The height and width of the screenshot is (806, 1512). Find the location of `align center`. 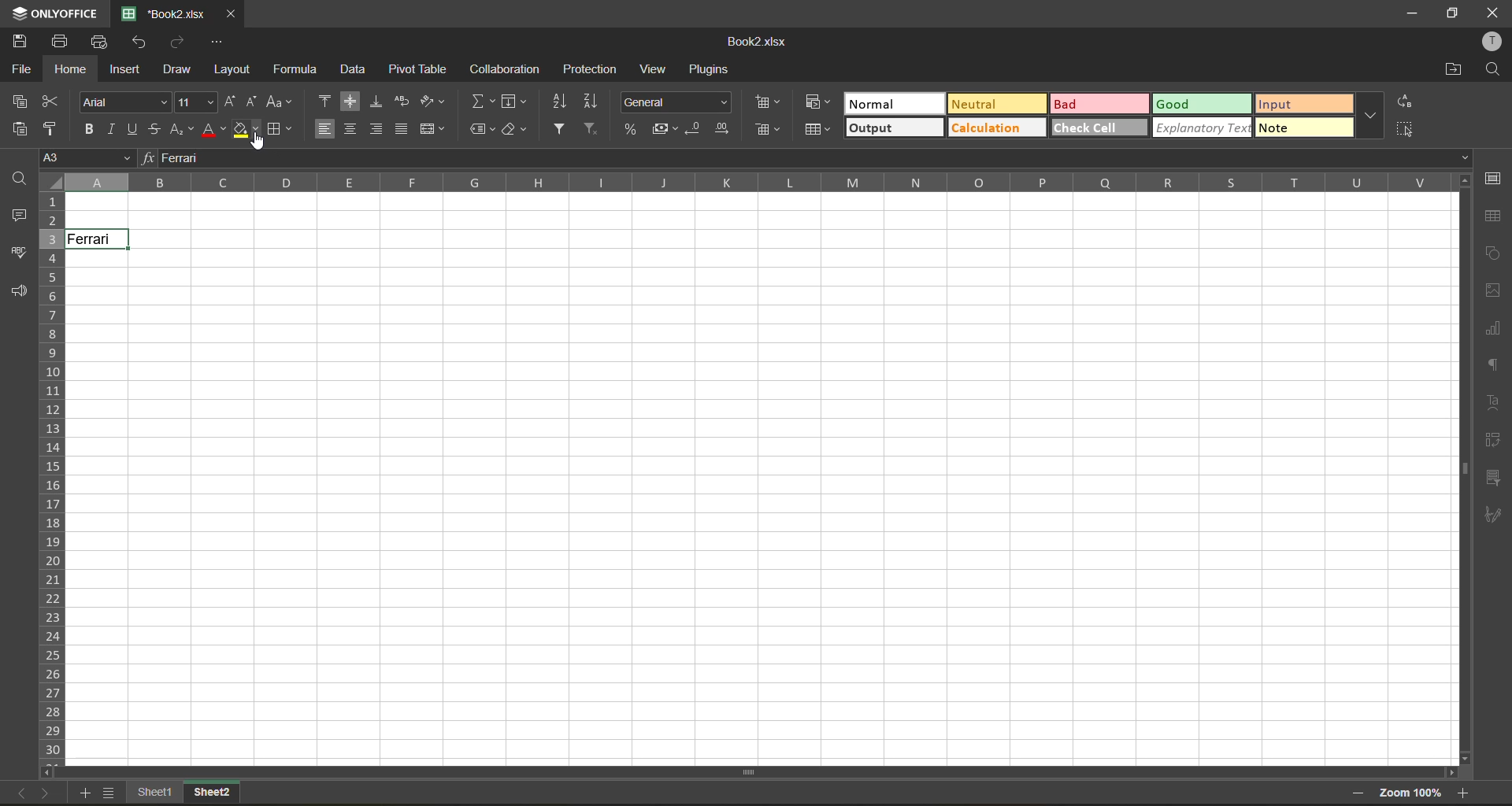

align center is located at coordinates (351, 128).